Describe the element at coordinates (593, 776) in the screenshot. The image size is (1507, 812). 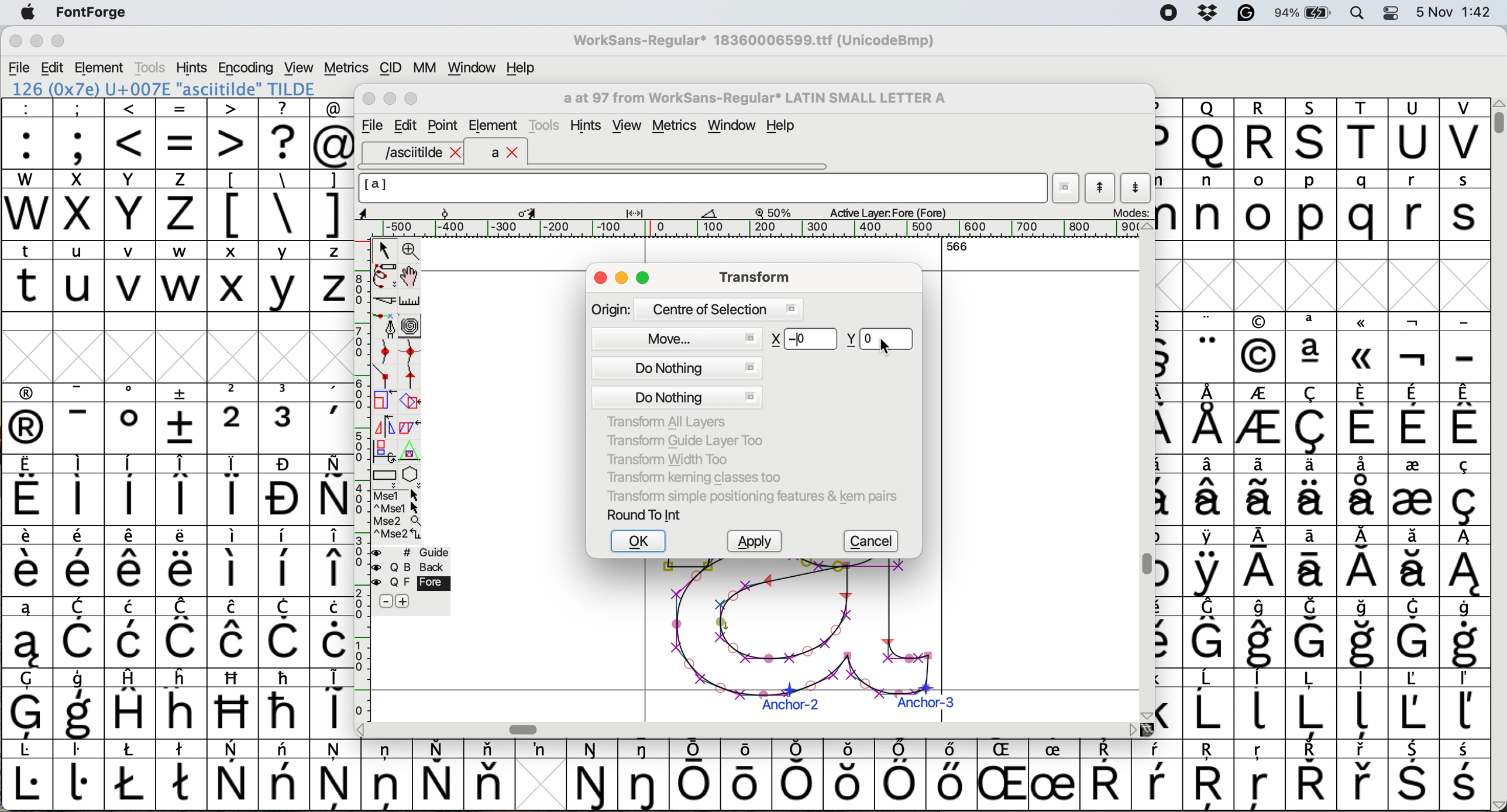
I see `symbol` at that location.